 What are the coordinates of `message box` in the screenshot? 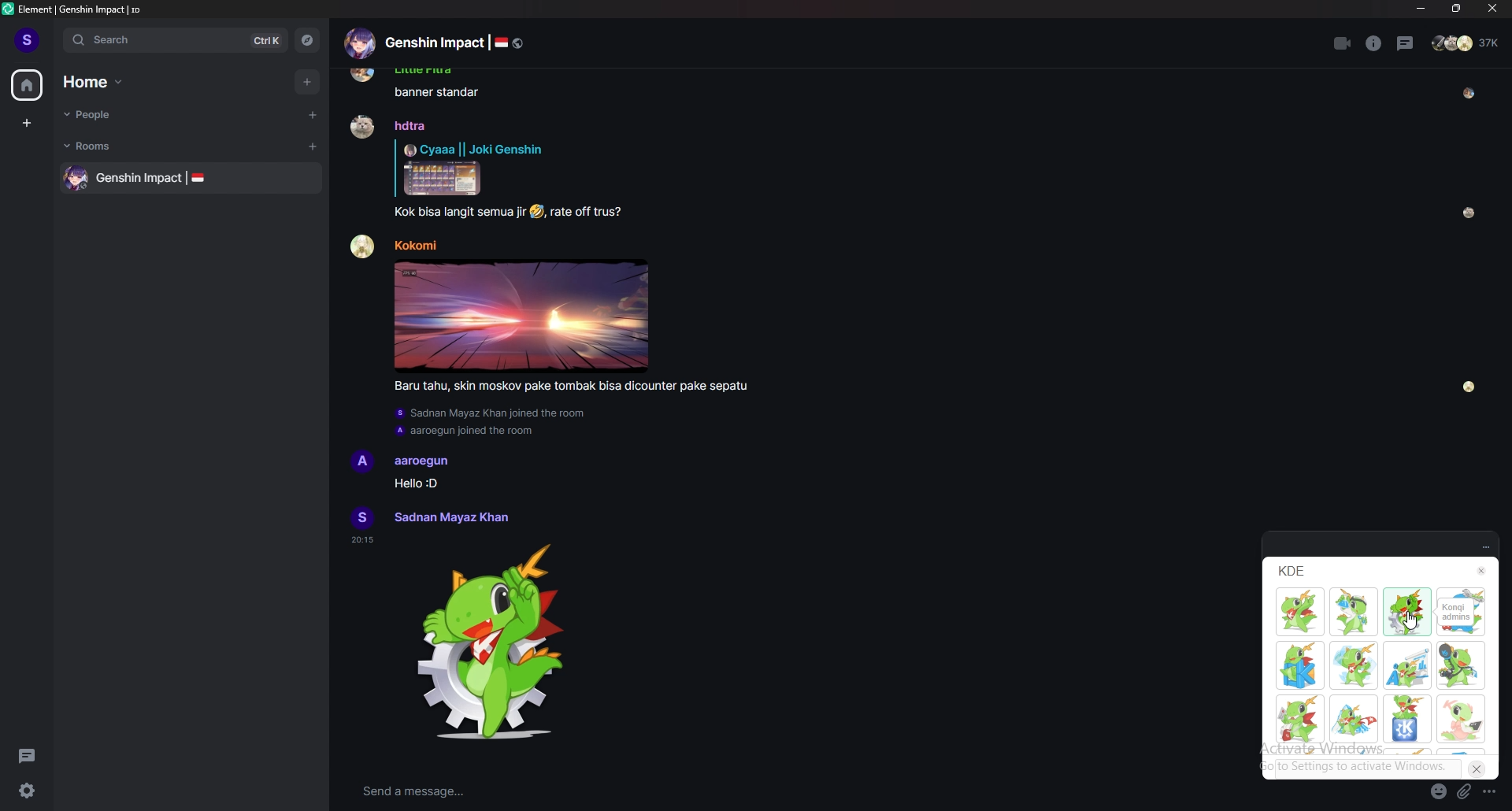 It's located at (673, 792).